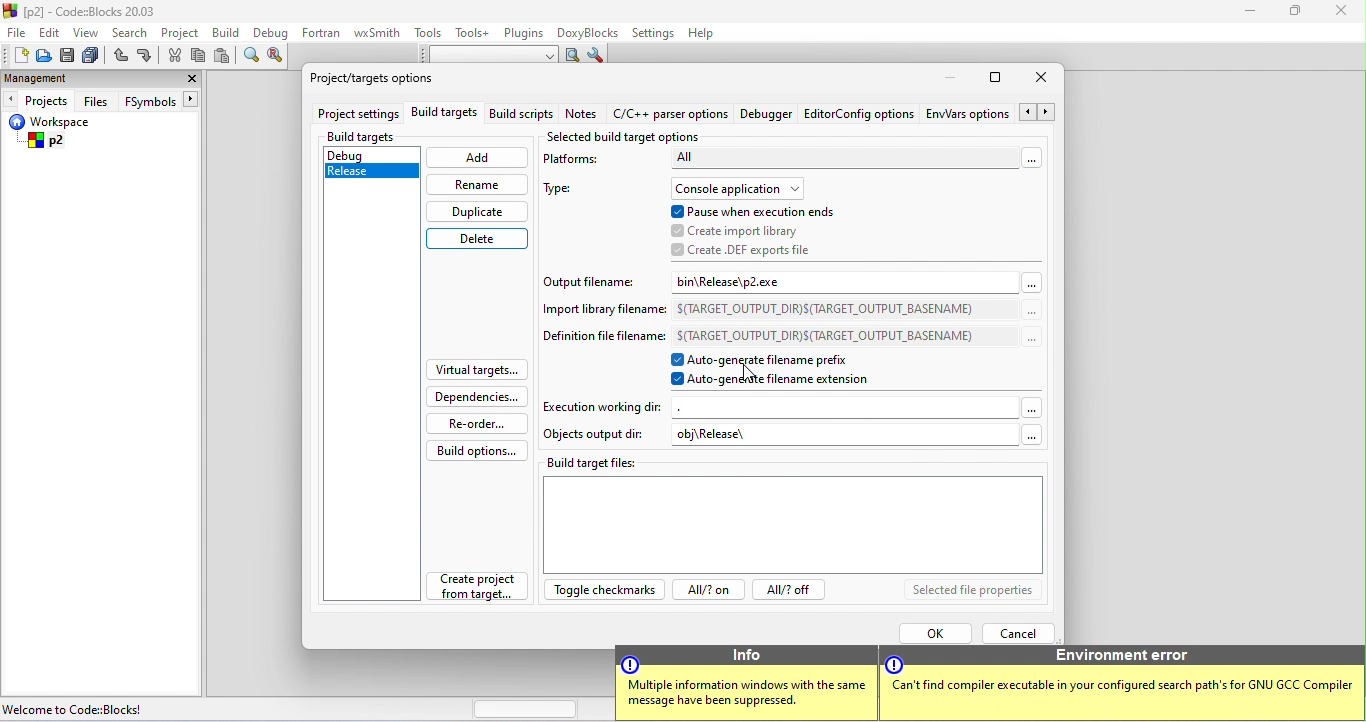  What do you see at coordinates (998, 77) in the screenshot?
I see `maximize` at bounding box center [998, 77].